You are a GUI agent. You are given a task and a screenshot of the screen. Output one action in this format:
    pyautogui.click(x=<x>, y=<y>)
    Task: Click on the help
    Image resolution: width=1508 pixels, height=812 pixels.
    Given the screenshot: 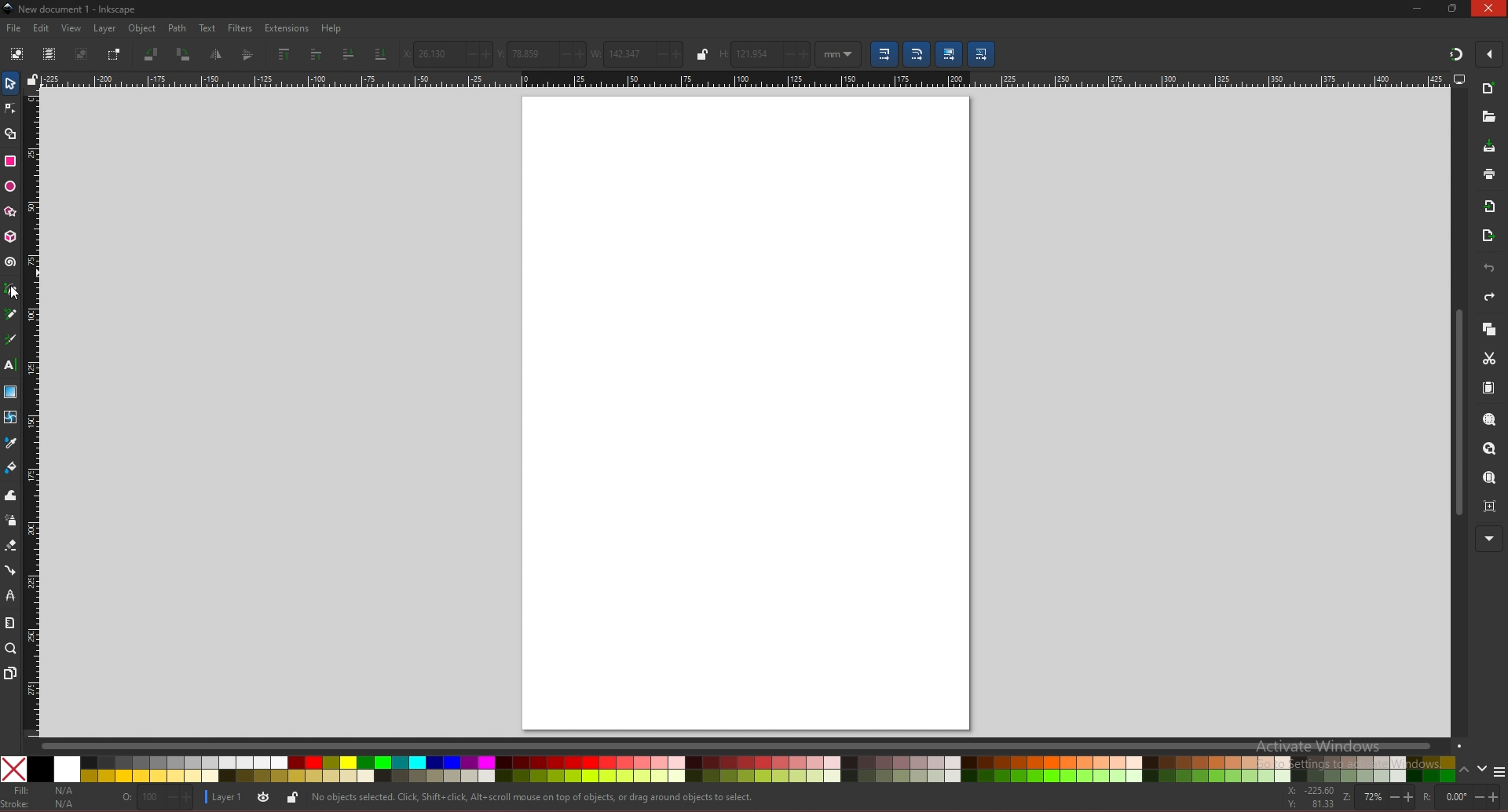 What is the action you would take?
    pyautogui.click(x=332, y=28)
    